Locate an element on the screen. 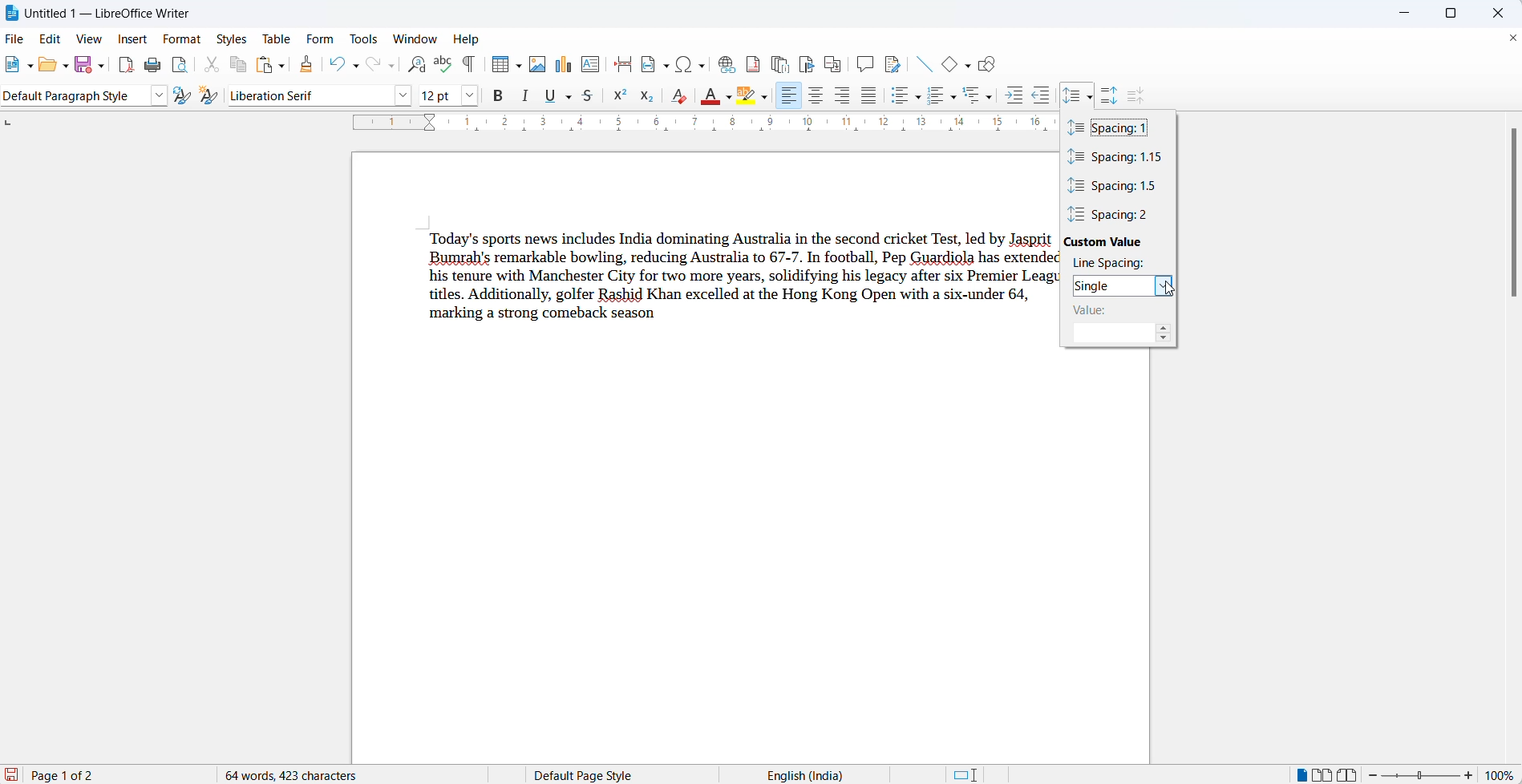 The height and width of the screenshot is (784, 1522). increase paragraph spacing is located at coordinates (1111, 91).